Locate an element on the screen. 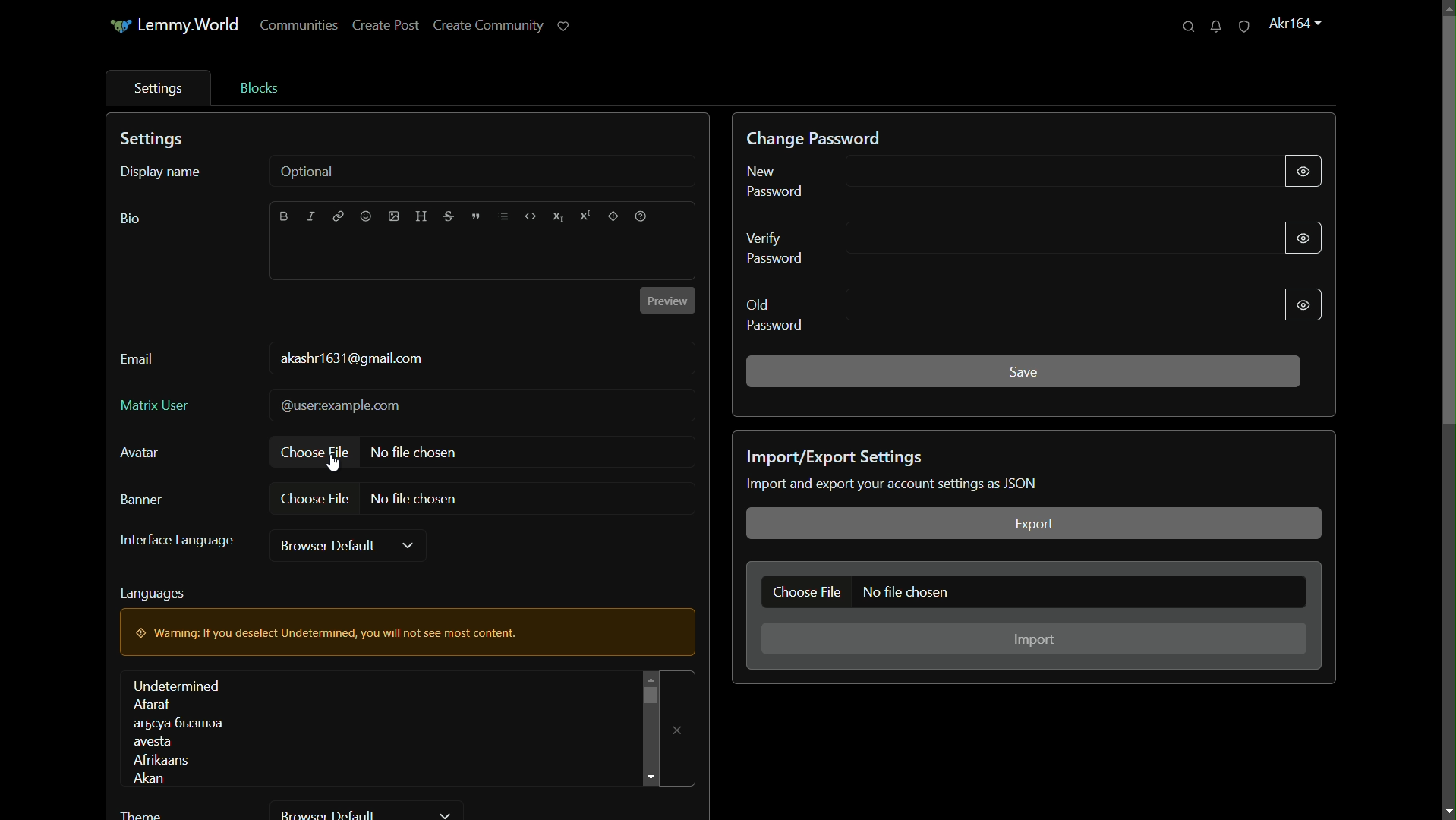 This screenshot has width=1456, height=820. server name is located at coordinates (191, 24).